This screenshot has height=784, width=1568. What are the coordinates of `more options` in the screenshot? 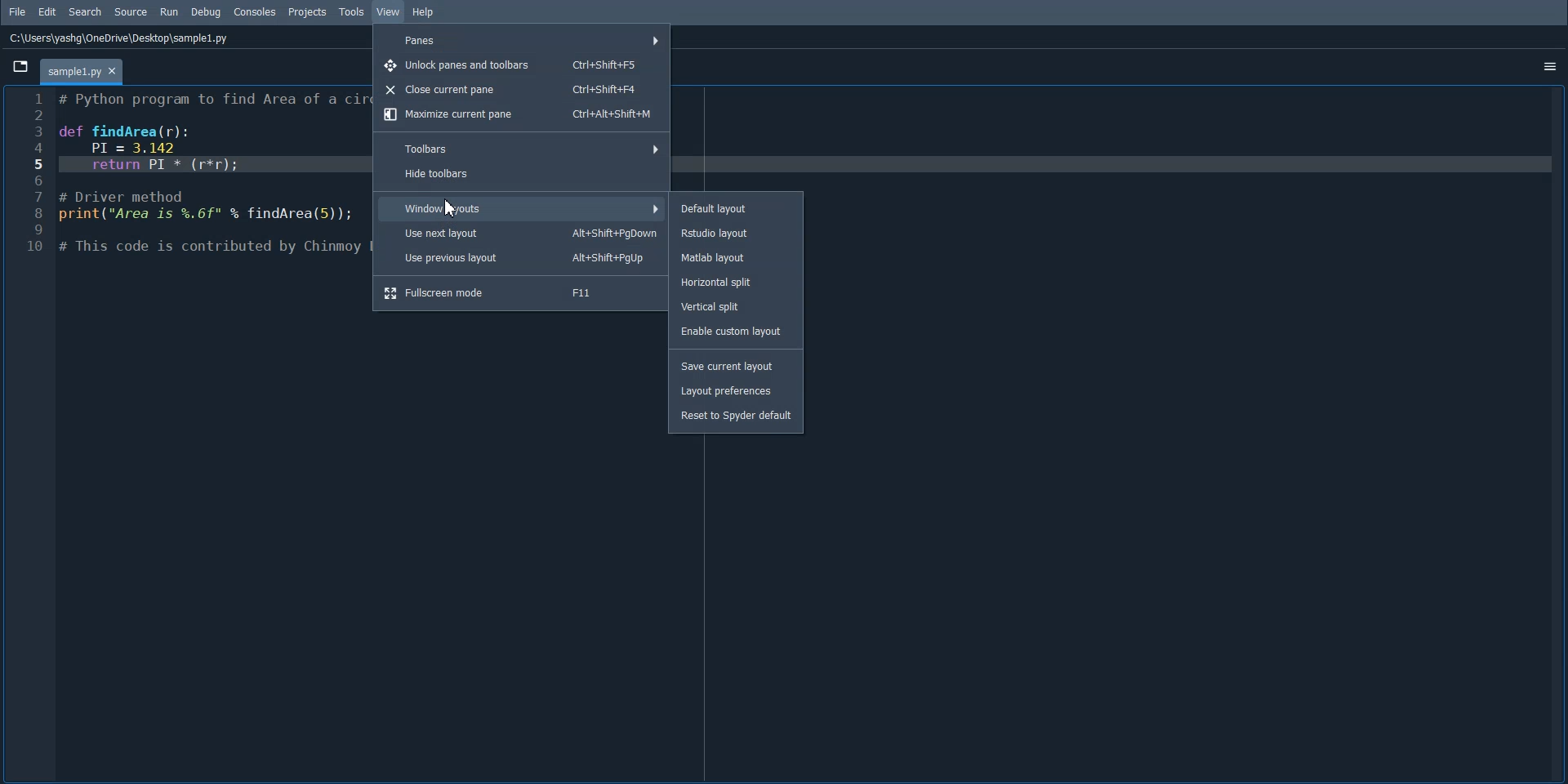 It's located at (1554, 65).